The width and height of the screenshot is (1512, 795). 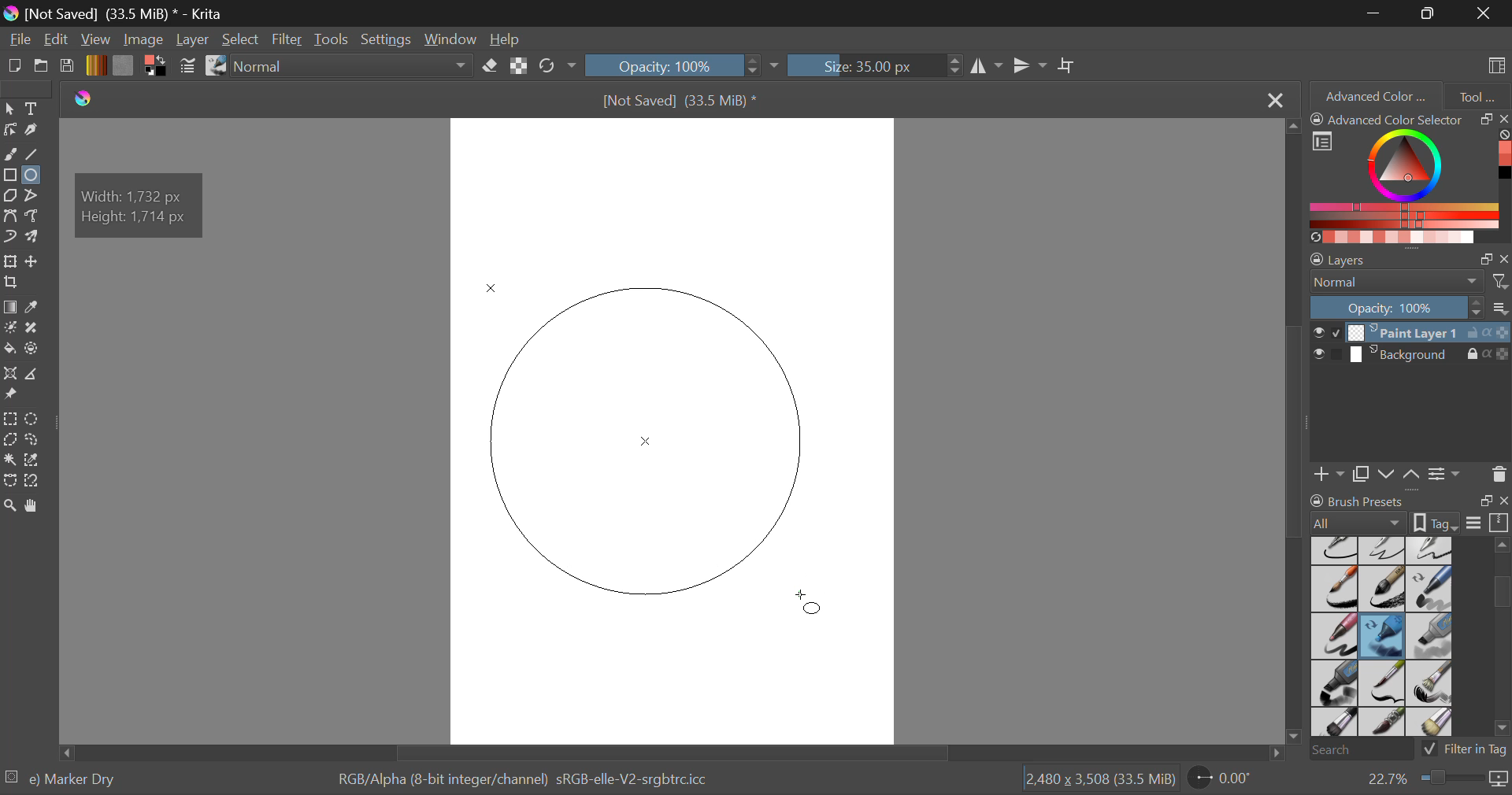 What do you see at coordinates (1432, 684) in the screenshot?
I see `Bristles-2 Flat Rough` at bounding box center [1432, 684].